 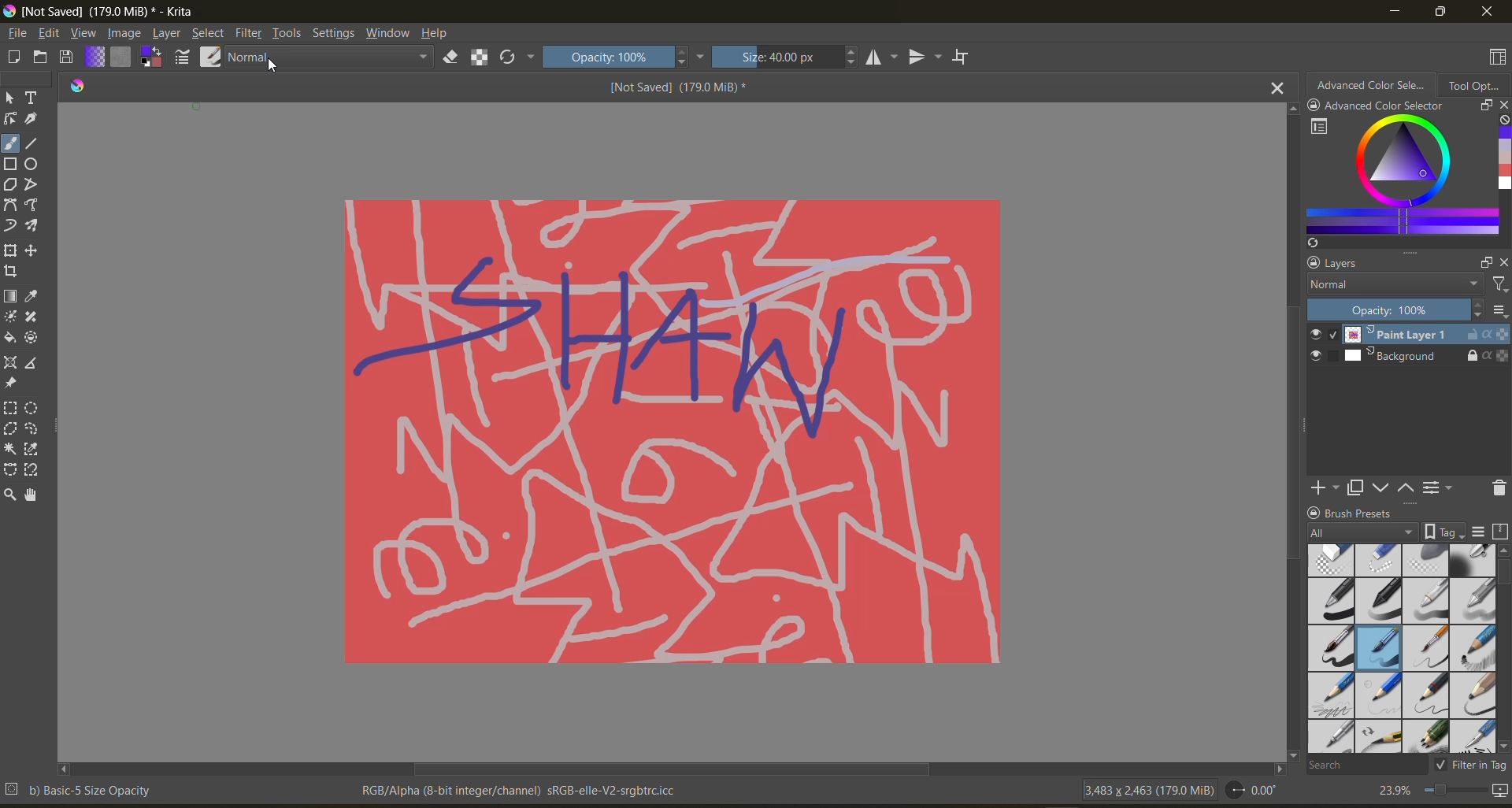 What do you see at coordinates (11, 362) in the screenshot?
I see `Assistant tool` at bounding box center [11, 362].